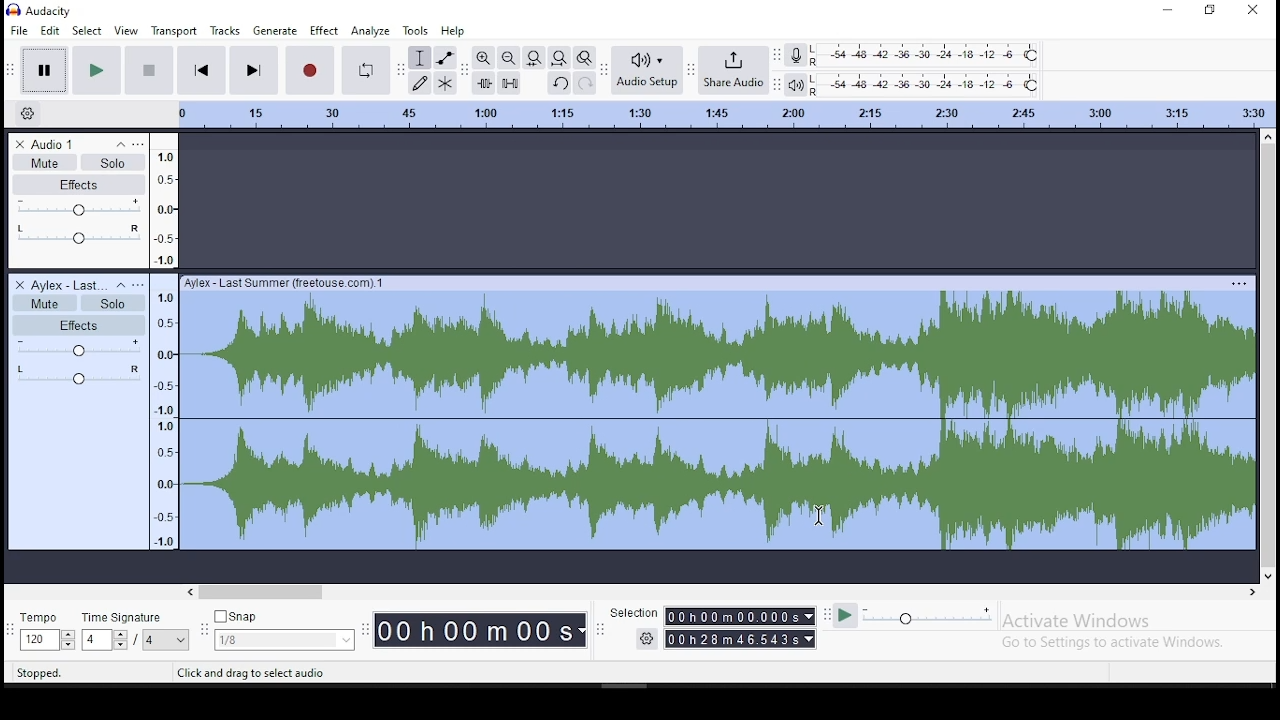  Describe the element at coordinates (146, 71) in the screenshot. I see `stop` at that location.